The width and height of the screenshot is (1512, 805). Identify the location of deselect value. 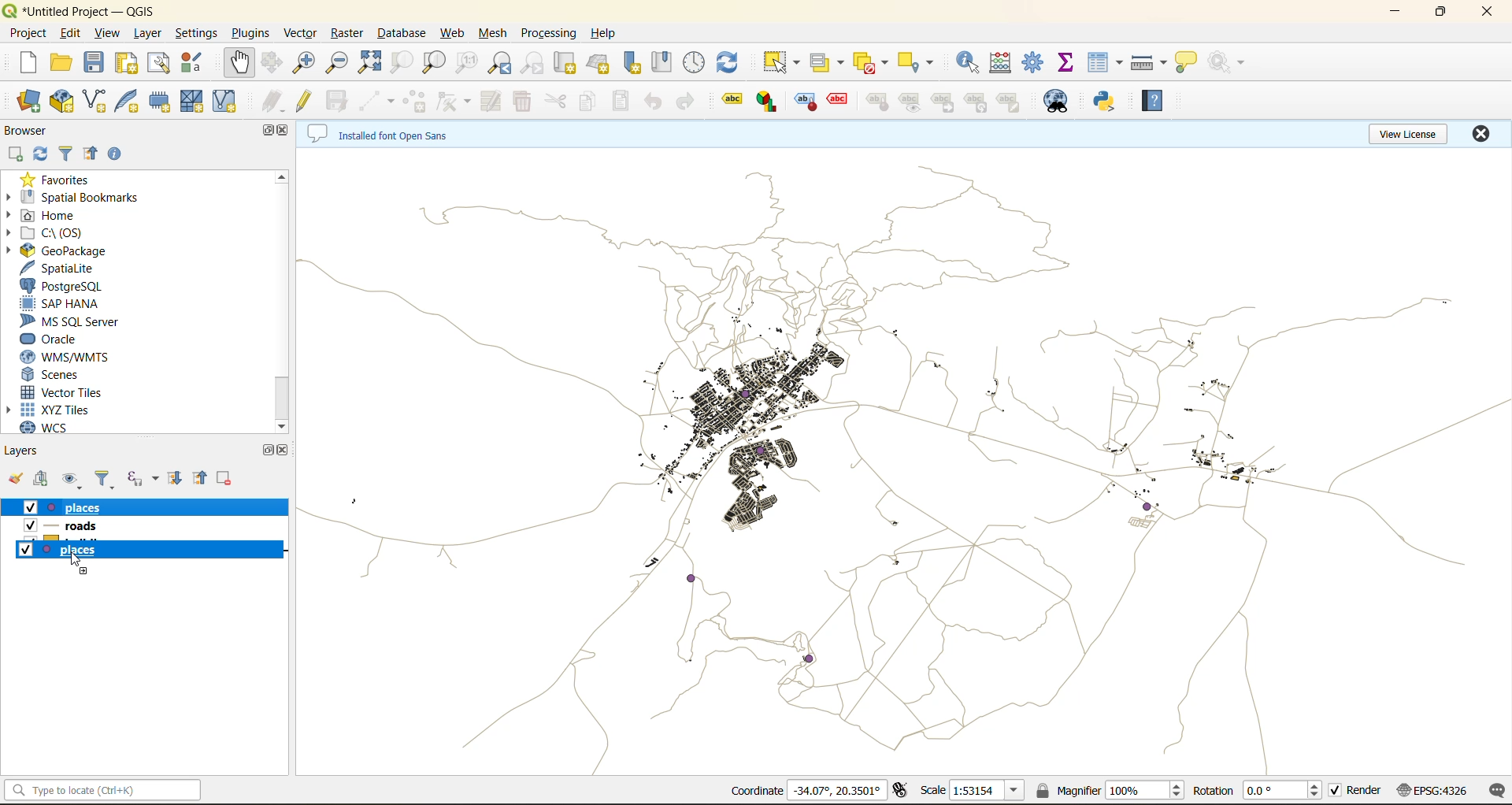
(870, 61).